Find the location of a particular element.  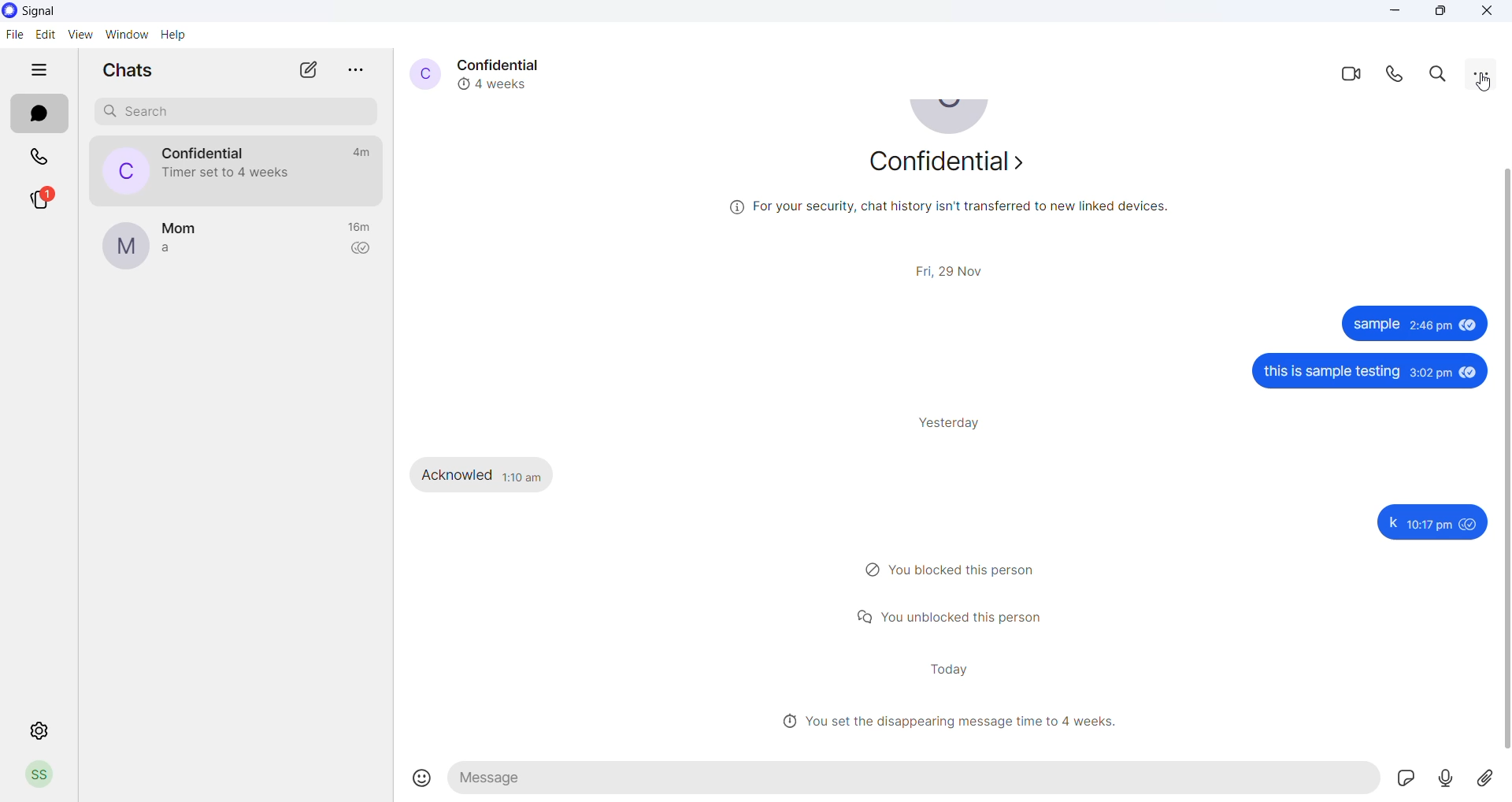

hide tabs is located at coordinates (37, 74).